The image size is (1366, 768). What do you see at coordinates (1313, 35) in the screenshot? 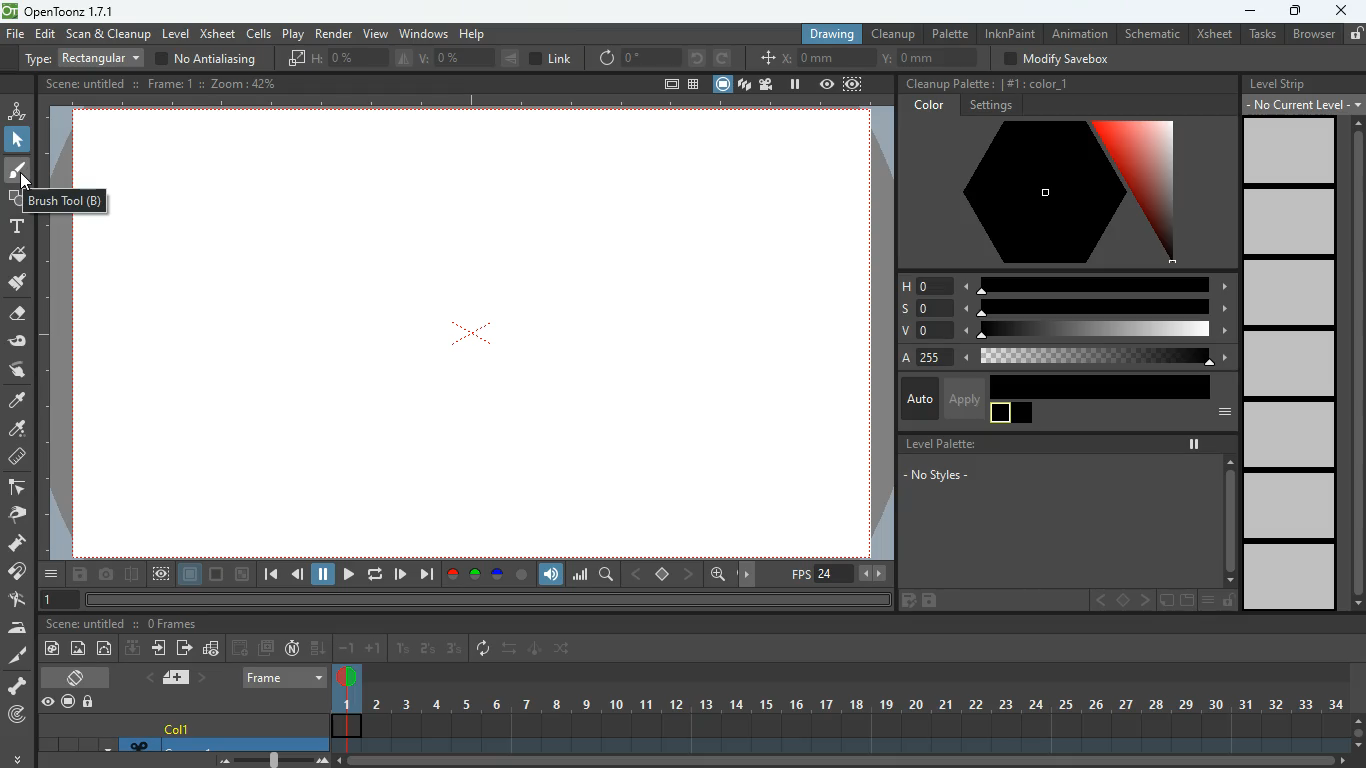
I see `browser` at bounding box center [1313, 35].